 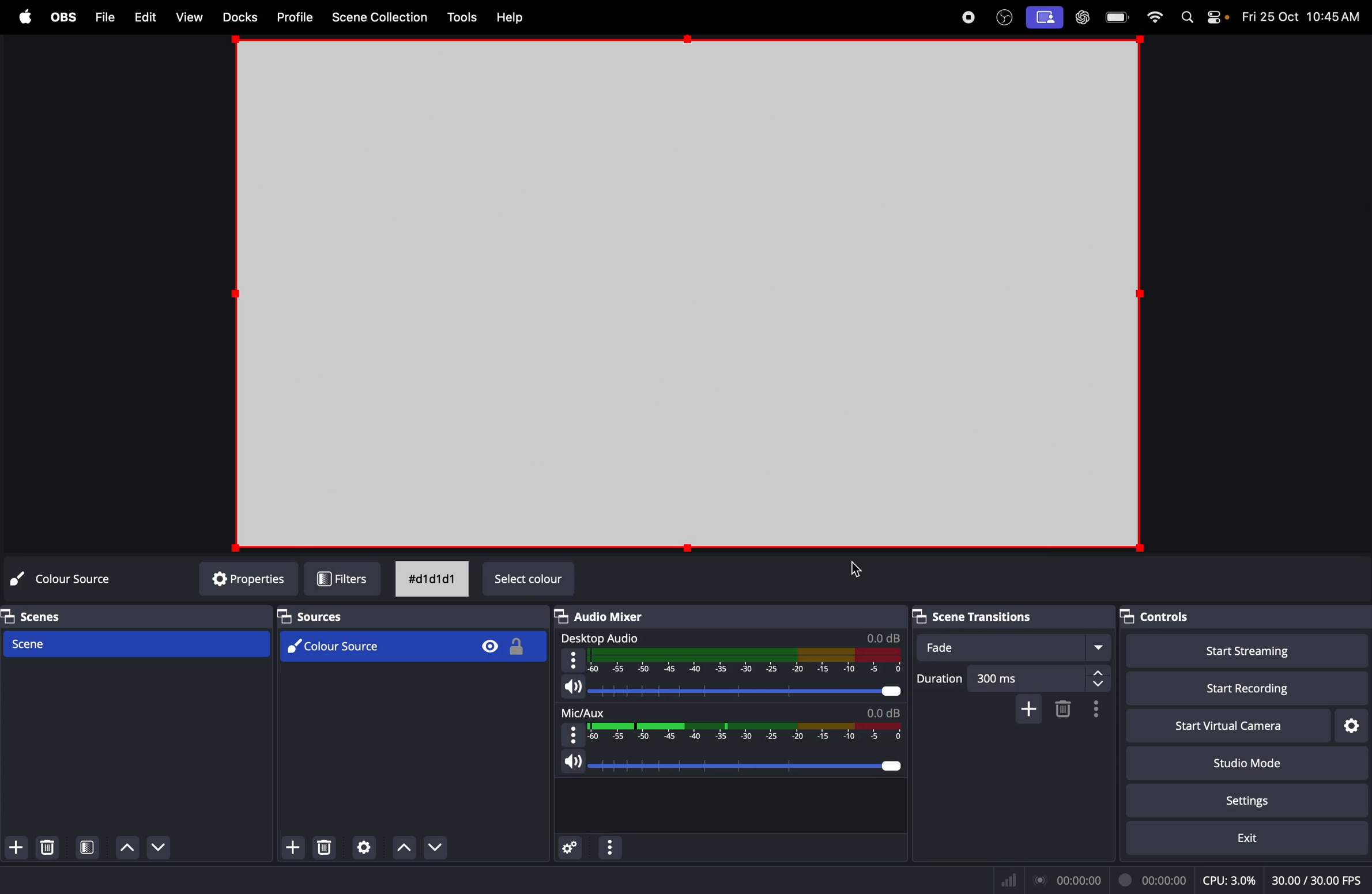 What do you see at coordinates (571, 848) in the screenshot?
I see `advance audio properties` at bounding box center [571, 848].